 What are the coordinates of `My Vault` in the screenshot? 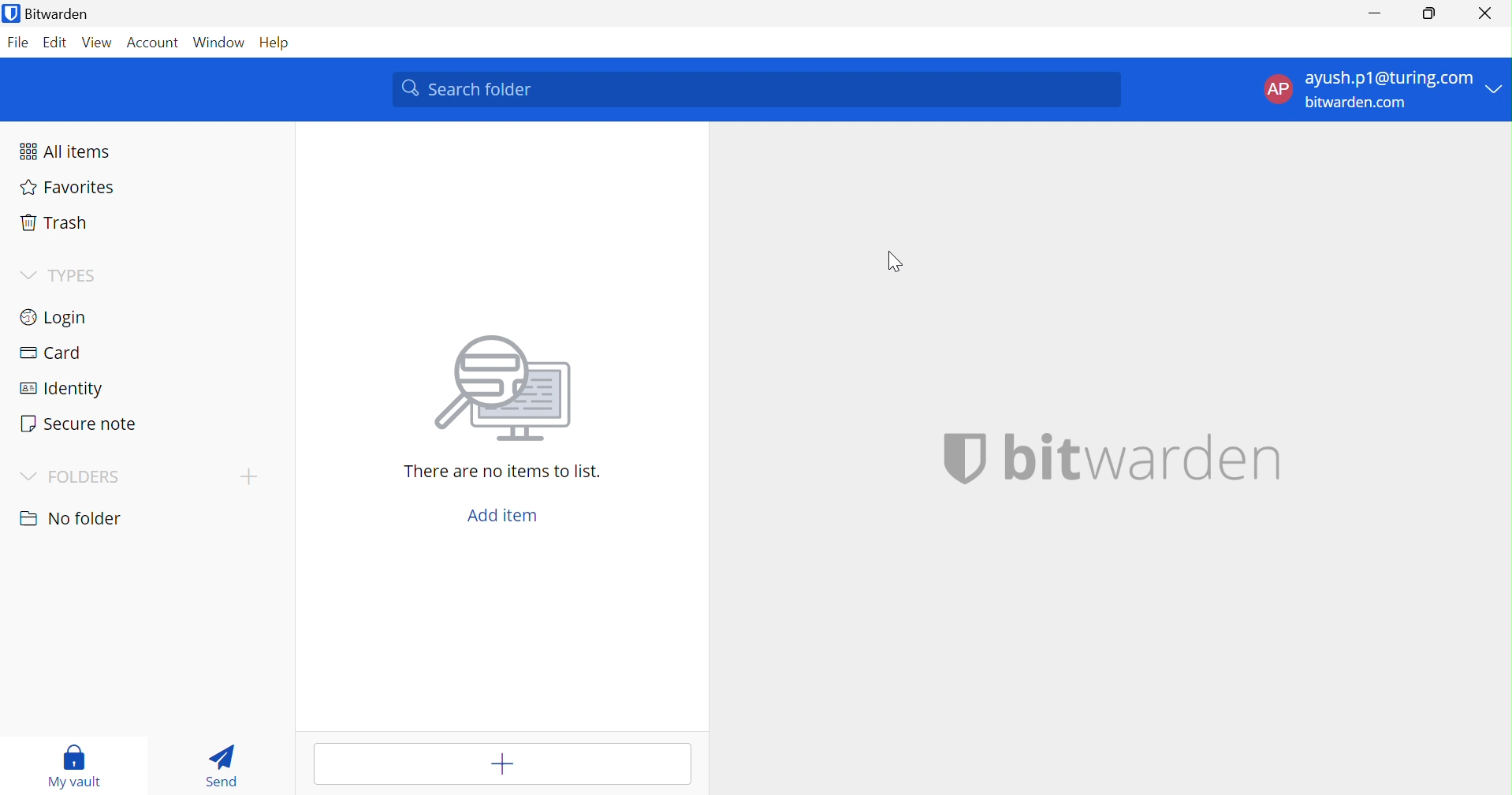 It's located at (75, 766).